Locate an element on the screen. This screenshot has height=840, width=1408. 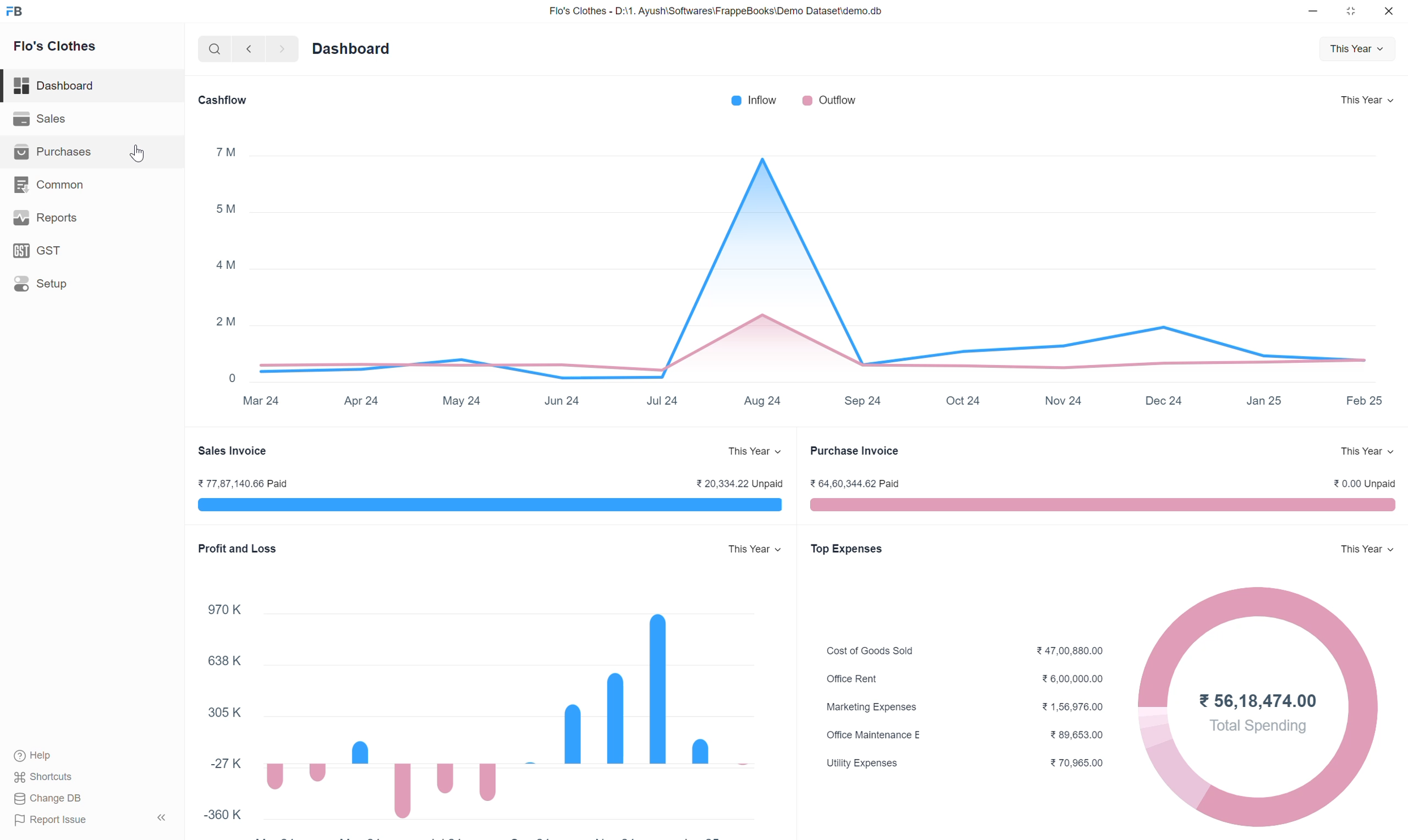
Cost of Goods Sold is located at coordinates (871, 650).